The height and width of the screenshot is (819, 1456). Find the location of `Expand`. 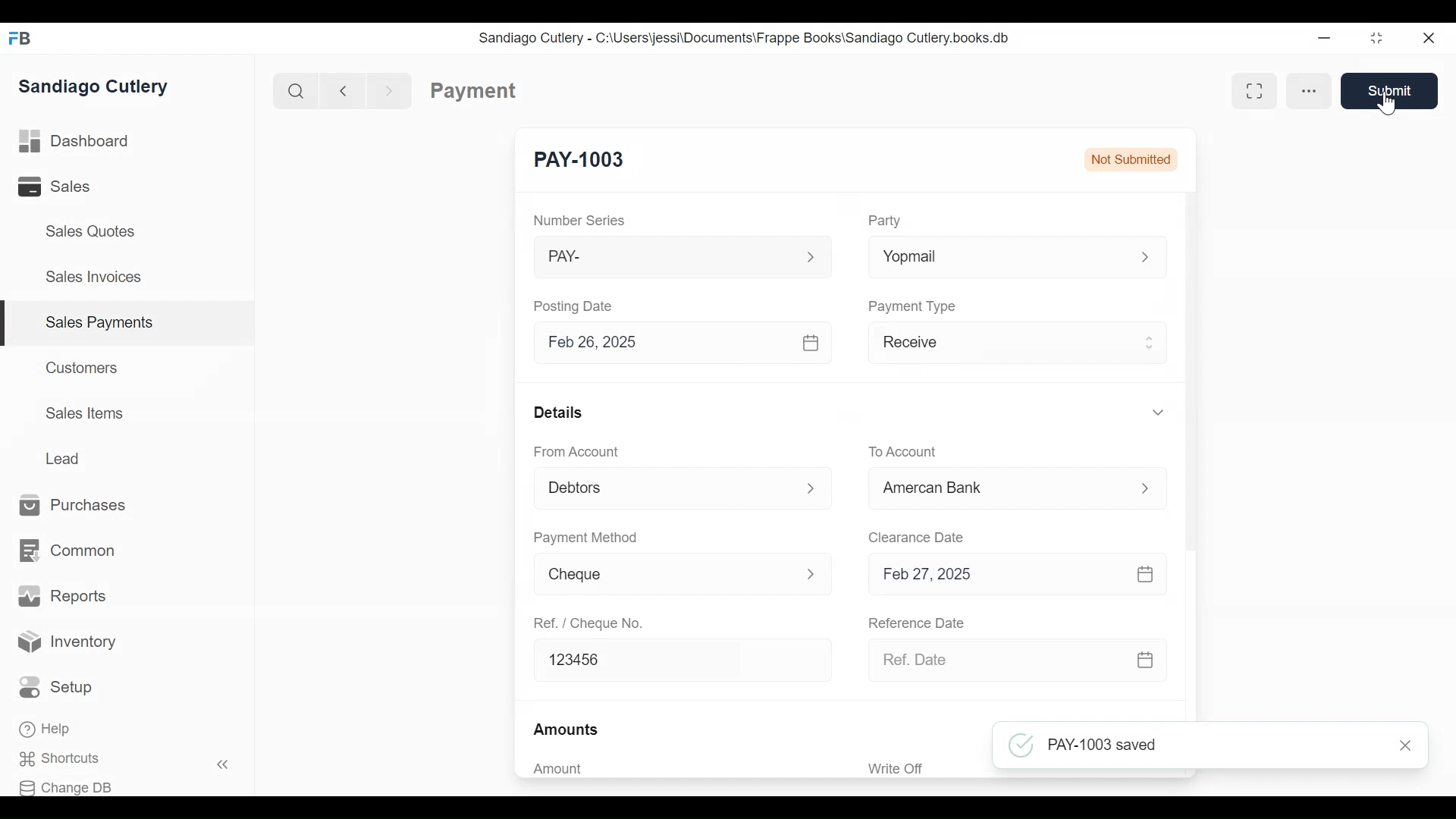

Expand is located at coordinates (814, 574).